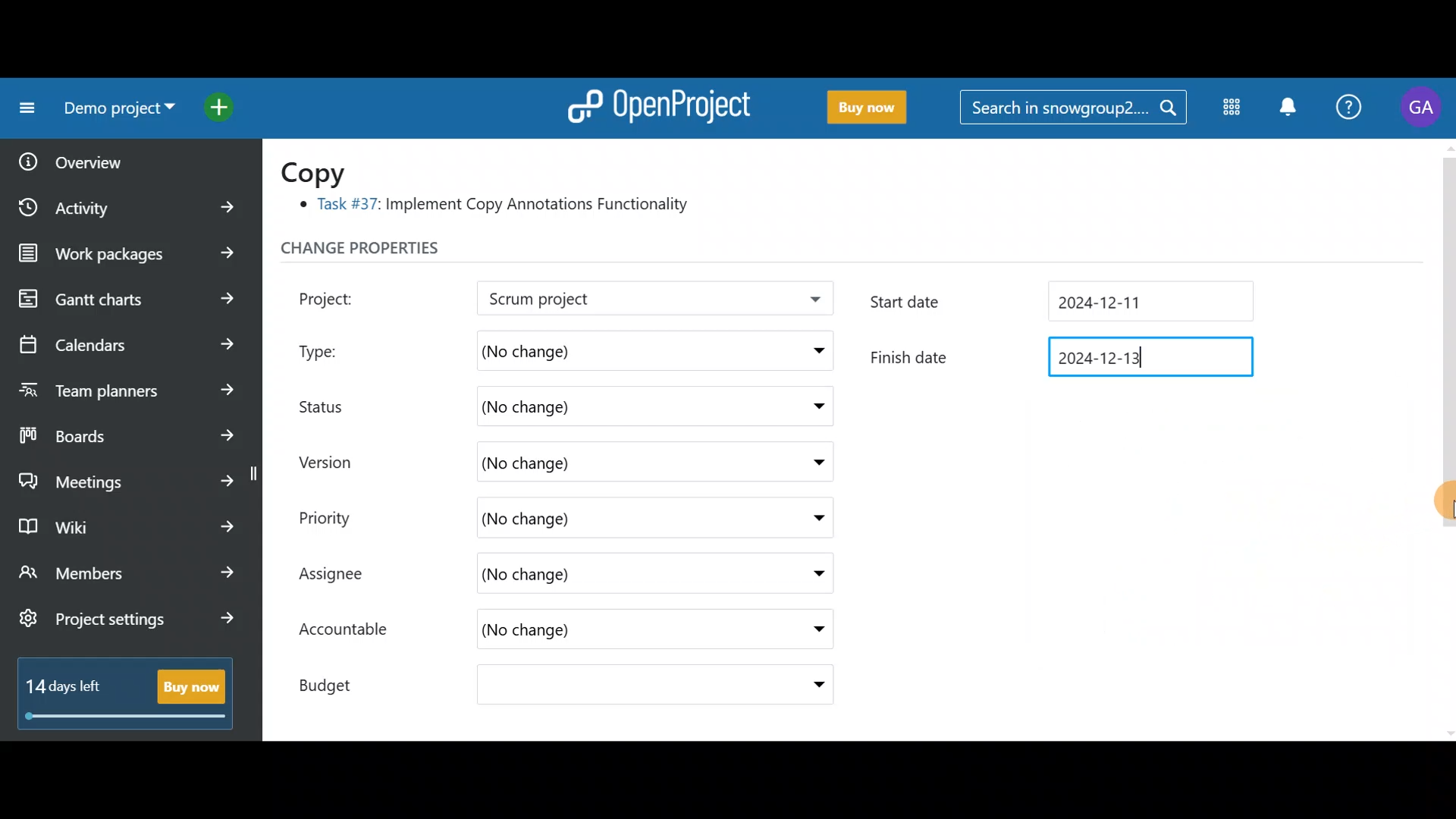 This screenshot has width=1456, height=819. I want to click on Meetings, so click(127, 478).